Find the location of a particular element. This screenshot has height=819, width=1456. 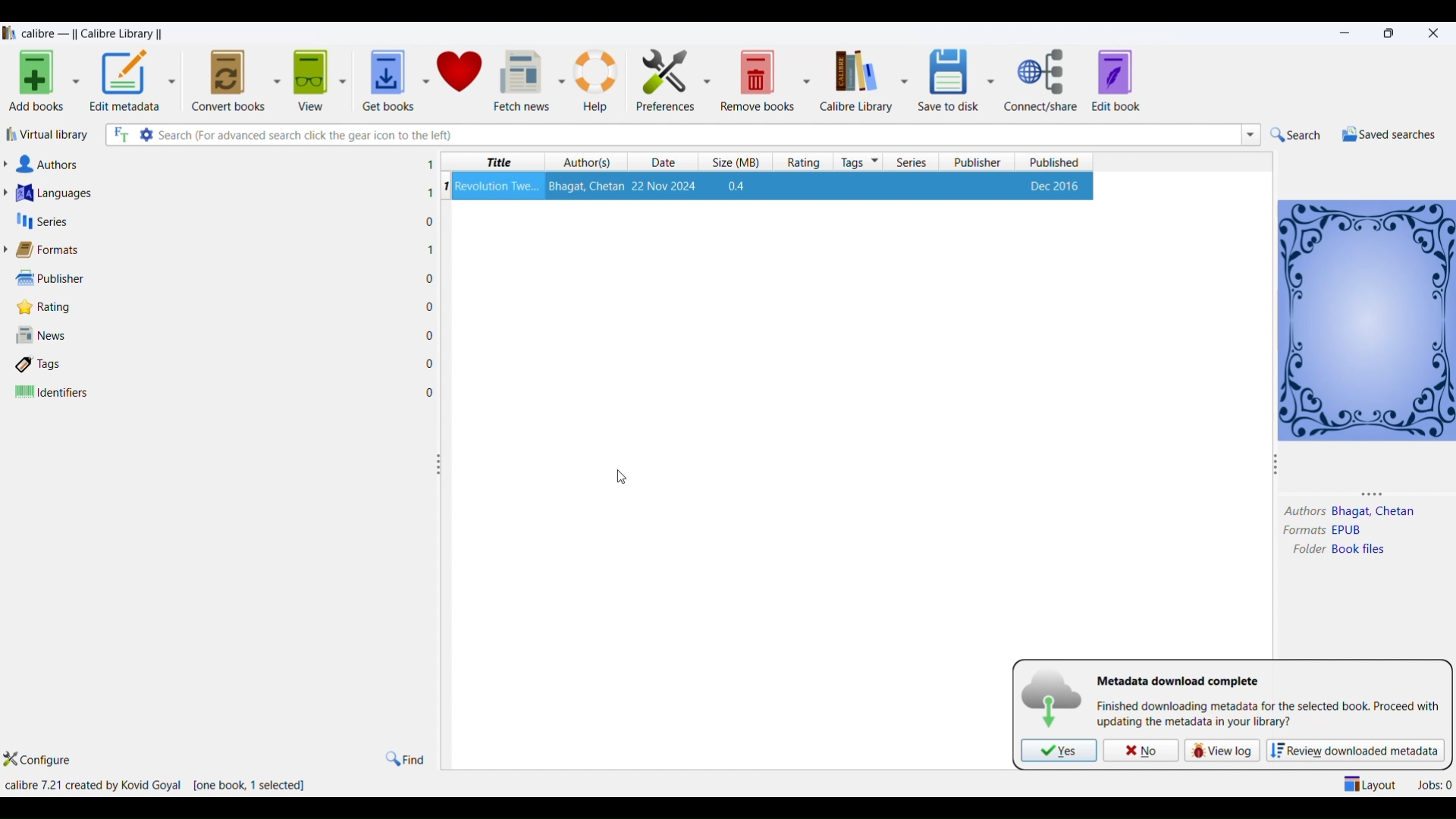

get books is located at coordinates (383, 76).